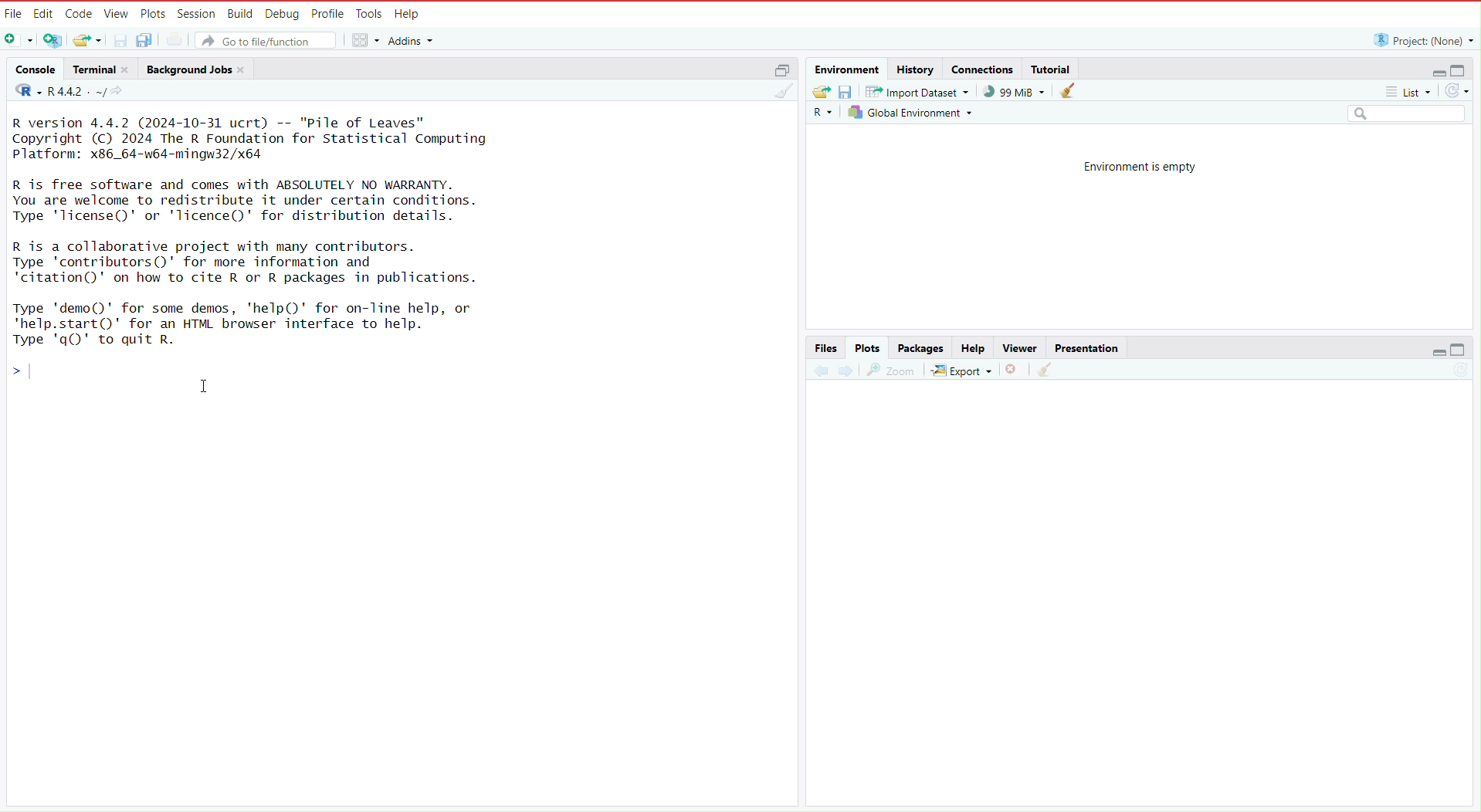 This screenshot has height=812, width=1481. Describe the element at coordinates (256, 262) in the screenshot. I see `R is a collaborative project with many contributors.
Type 'contributors()' for more information and
'citation()' on how to cite R or R packages in publications.` at that location.